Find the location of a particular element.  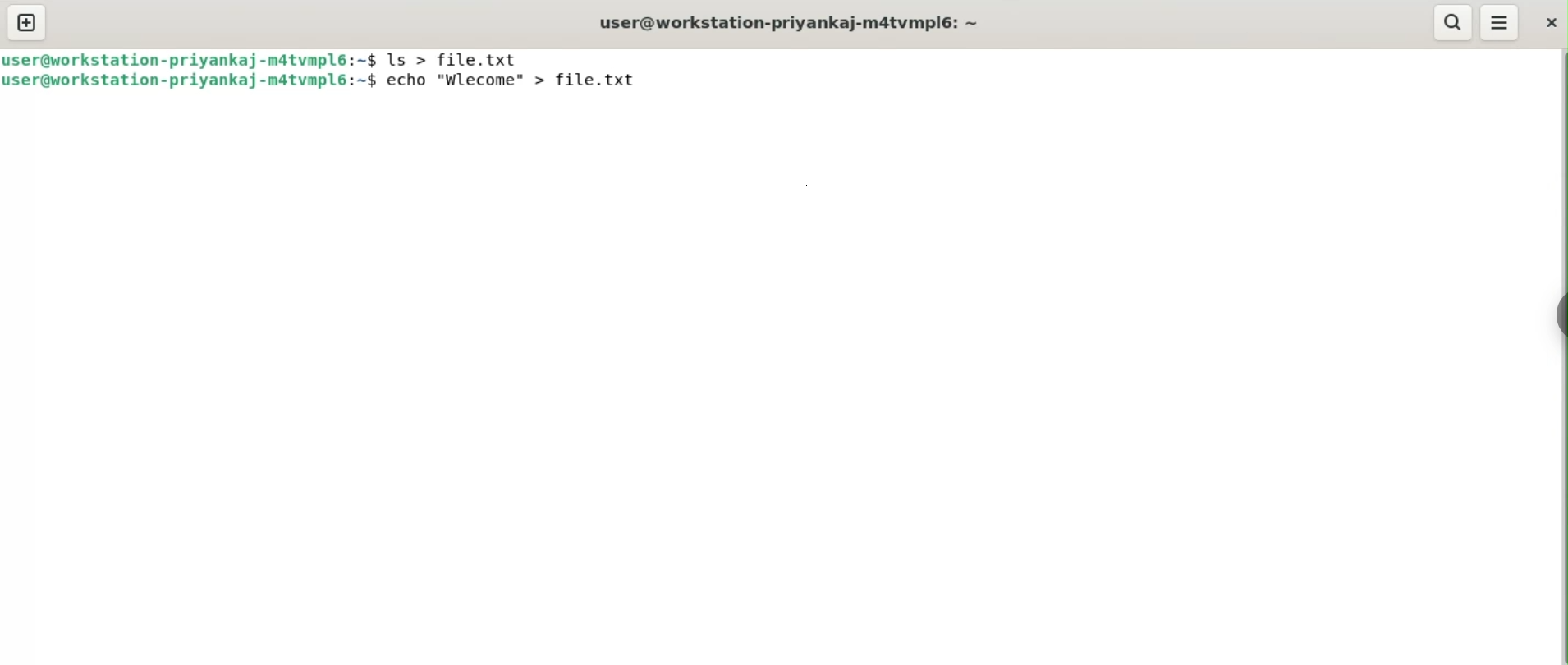

search is located at coordinates (1454, 21).